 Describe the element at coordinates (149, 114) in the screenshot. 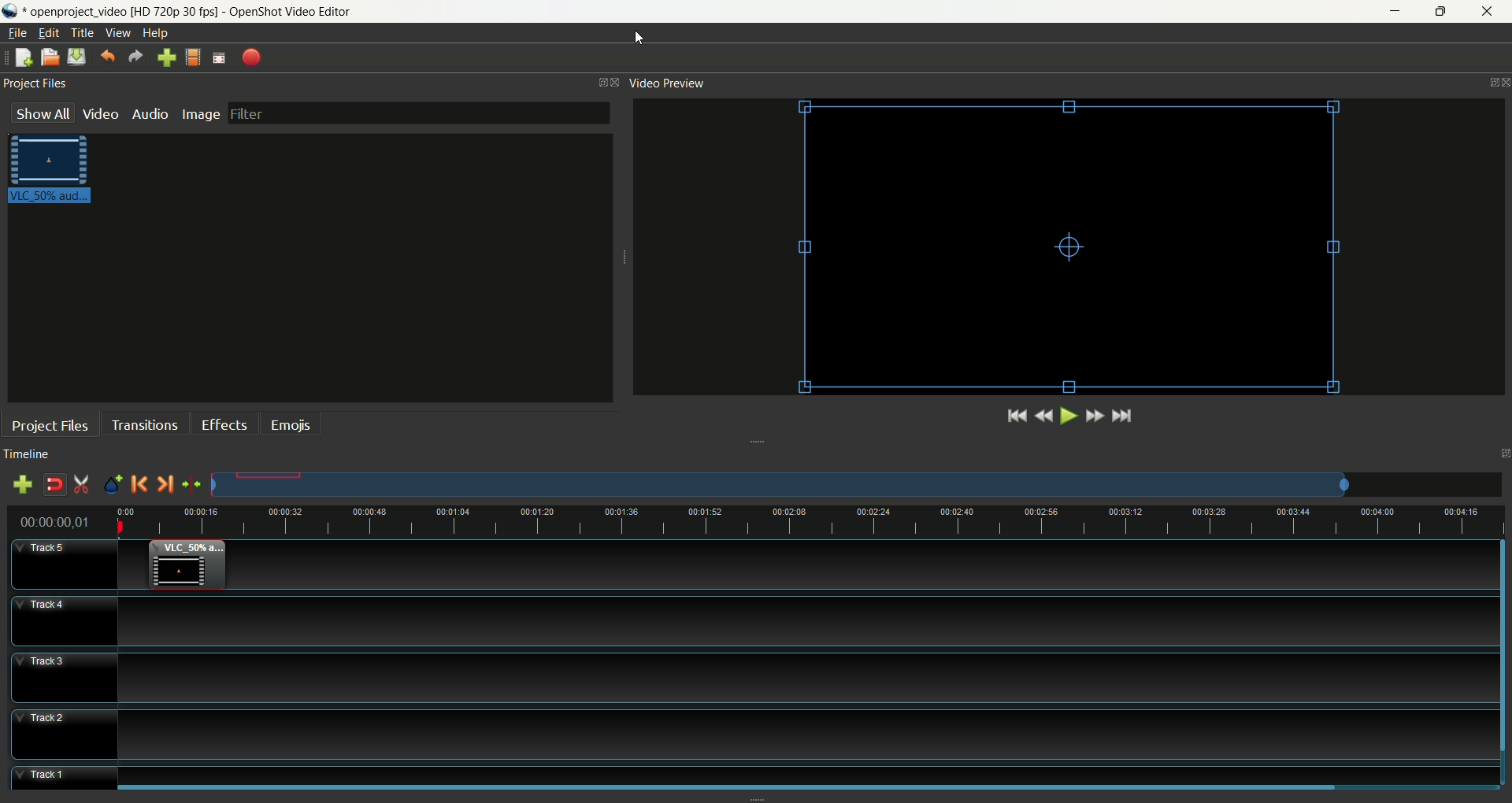

I see `audio` at that location.